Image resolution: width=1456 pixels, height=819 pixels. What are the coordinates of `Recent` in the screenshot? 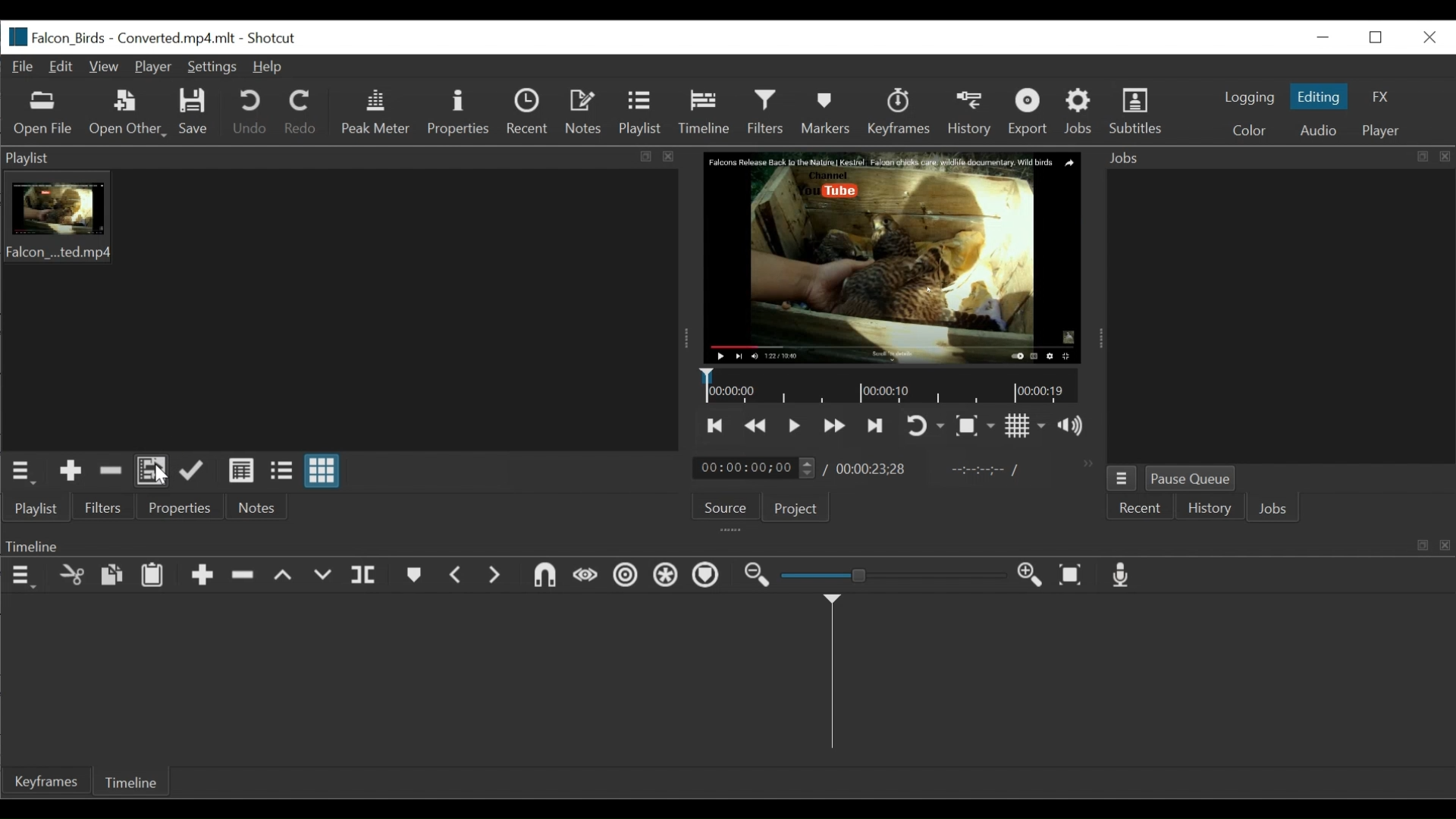 It's located at (524, 111).